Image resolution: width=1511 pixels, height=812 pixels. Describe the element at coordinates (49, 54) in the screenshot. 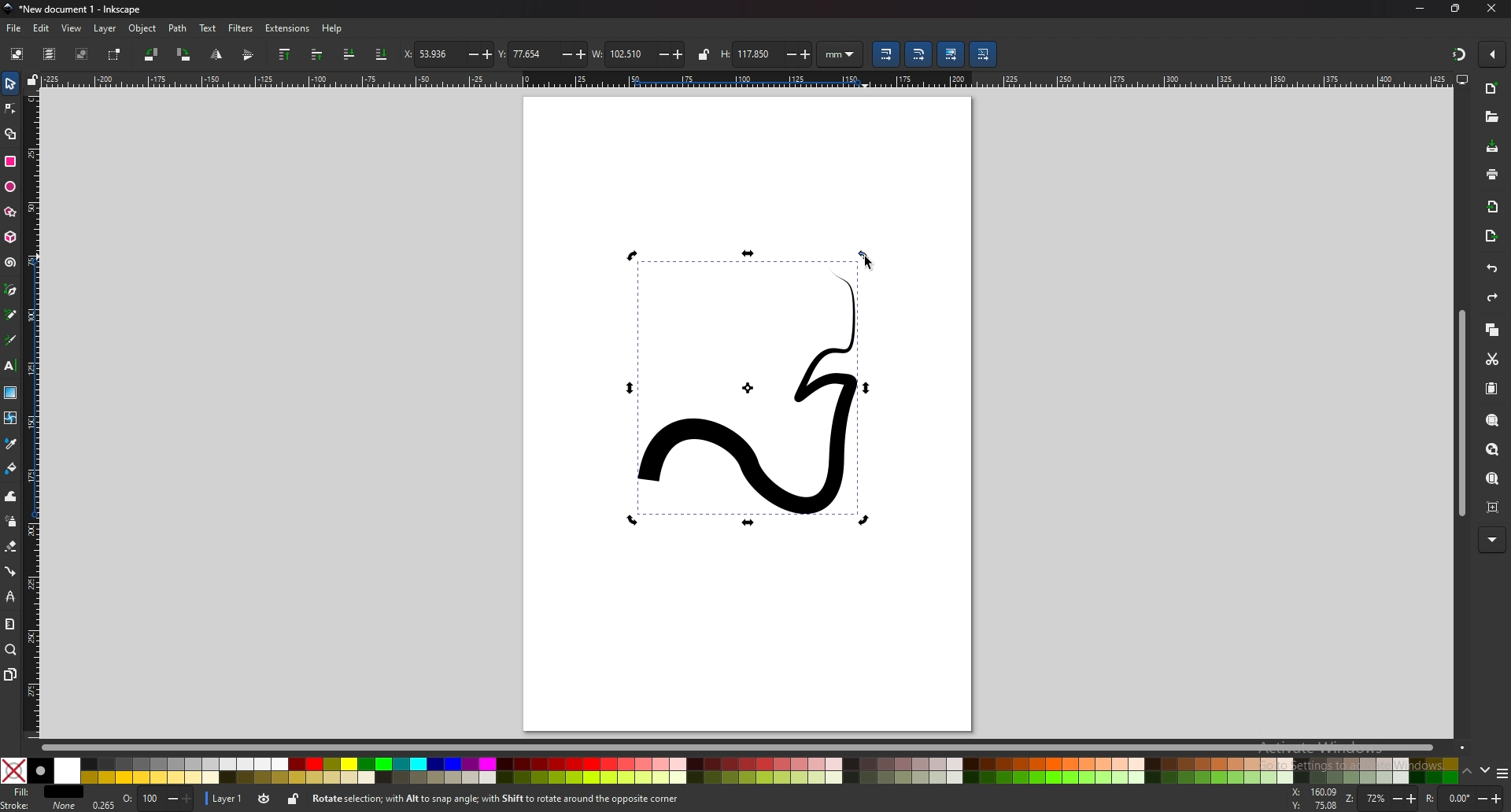

I see `select all in all layers` at that location.